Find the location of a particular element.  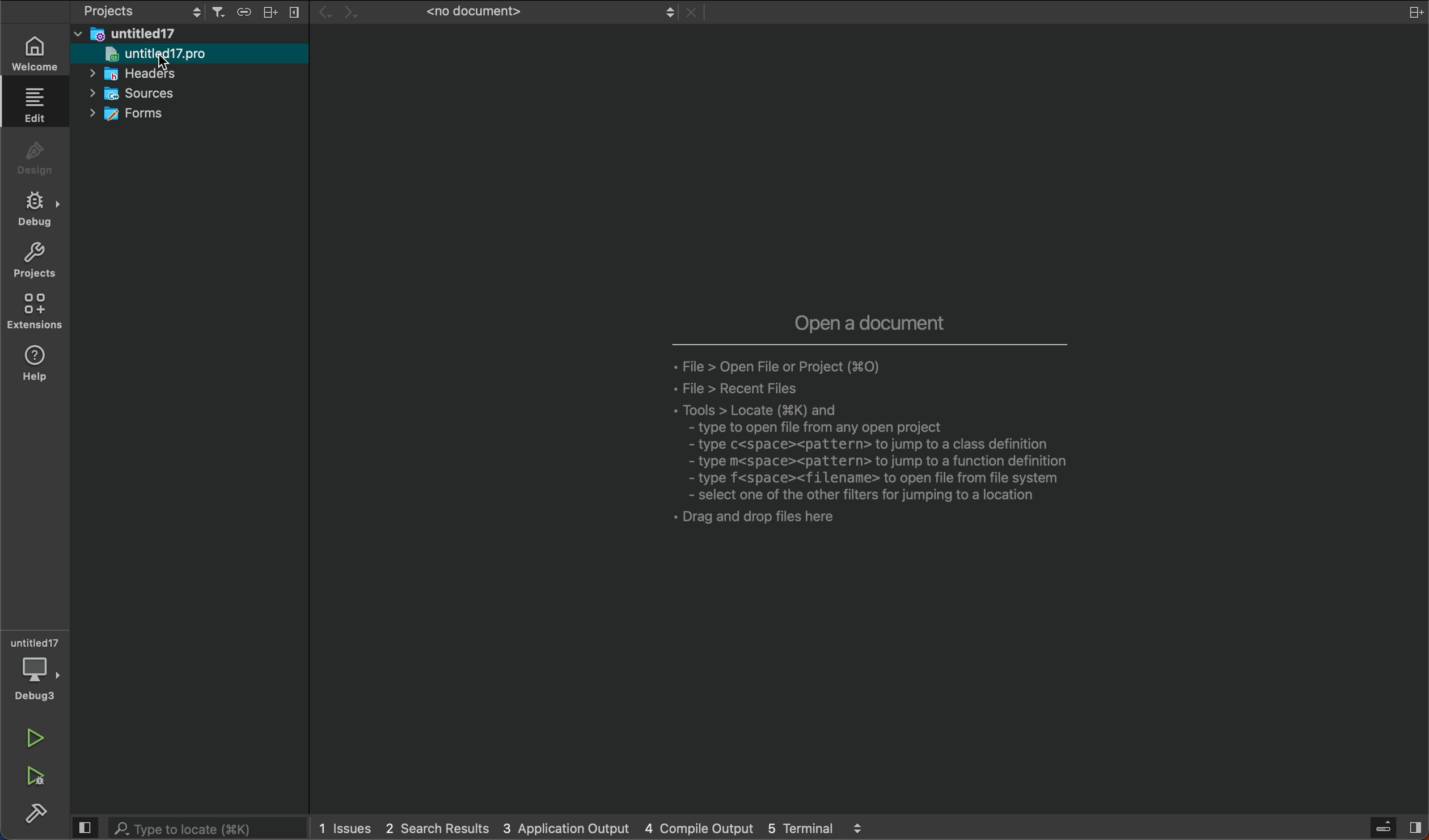

untitled 17 pro is located at coordinates (191, 54).